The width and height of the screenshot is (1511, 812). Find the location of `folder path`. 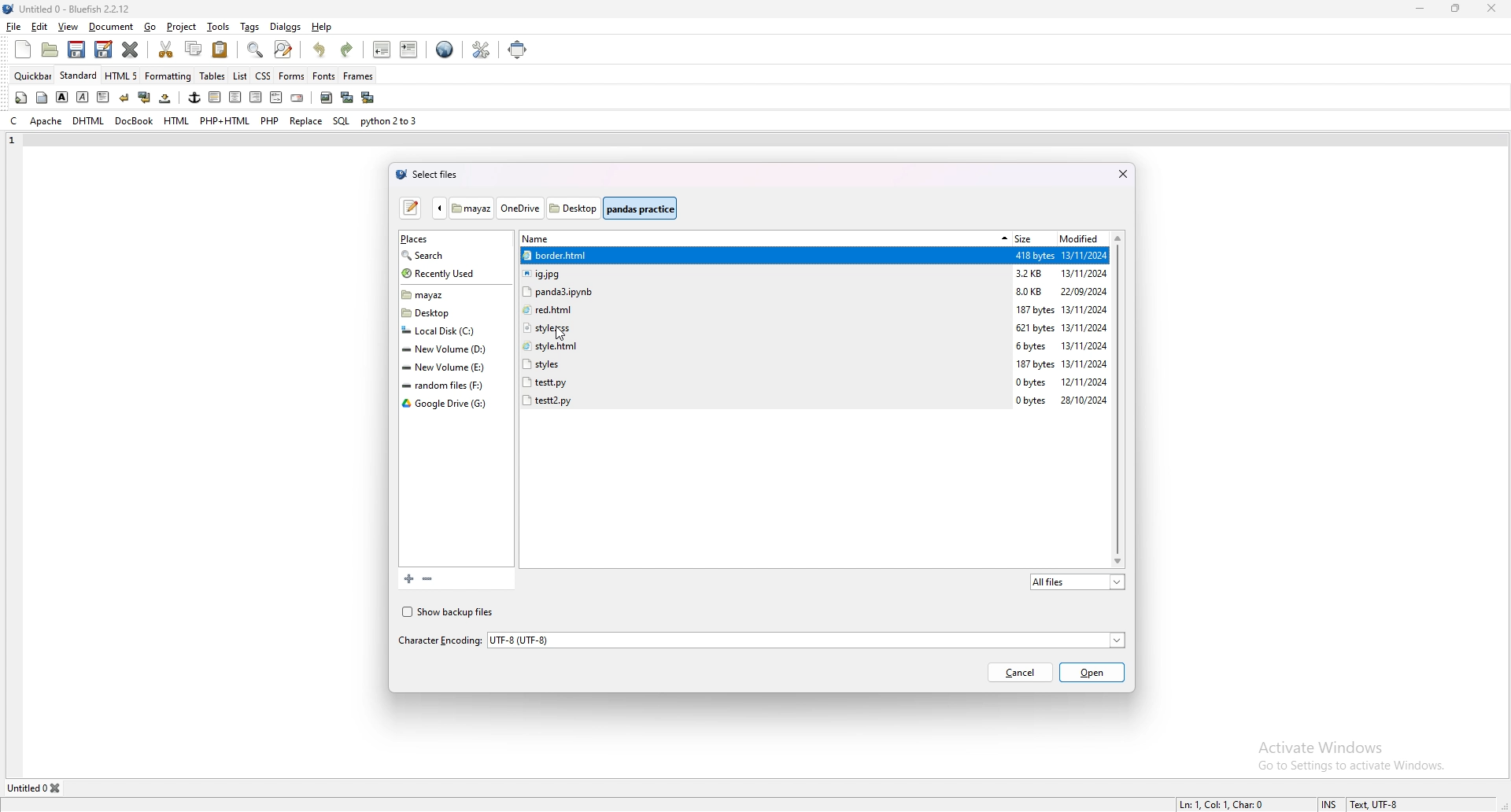

folder path is located at coordinates (555, 207).